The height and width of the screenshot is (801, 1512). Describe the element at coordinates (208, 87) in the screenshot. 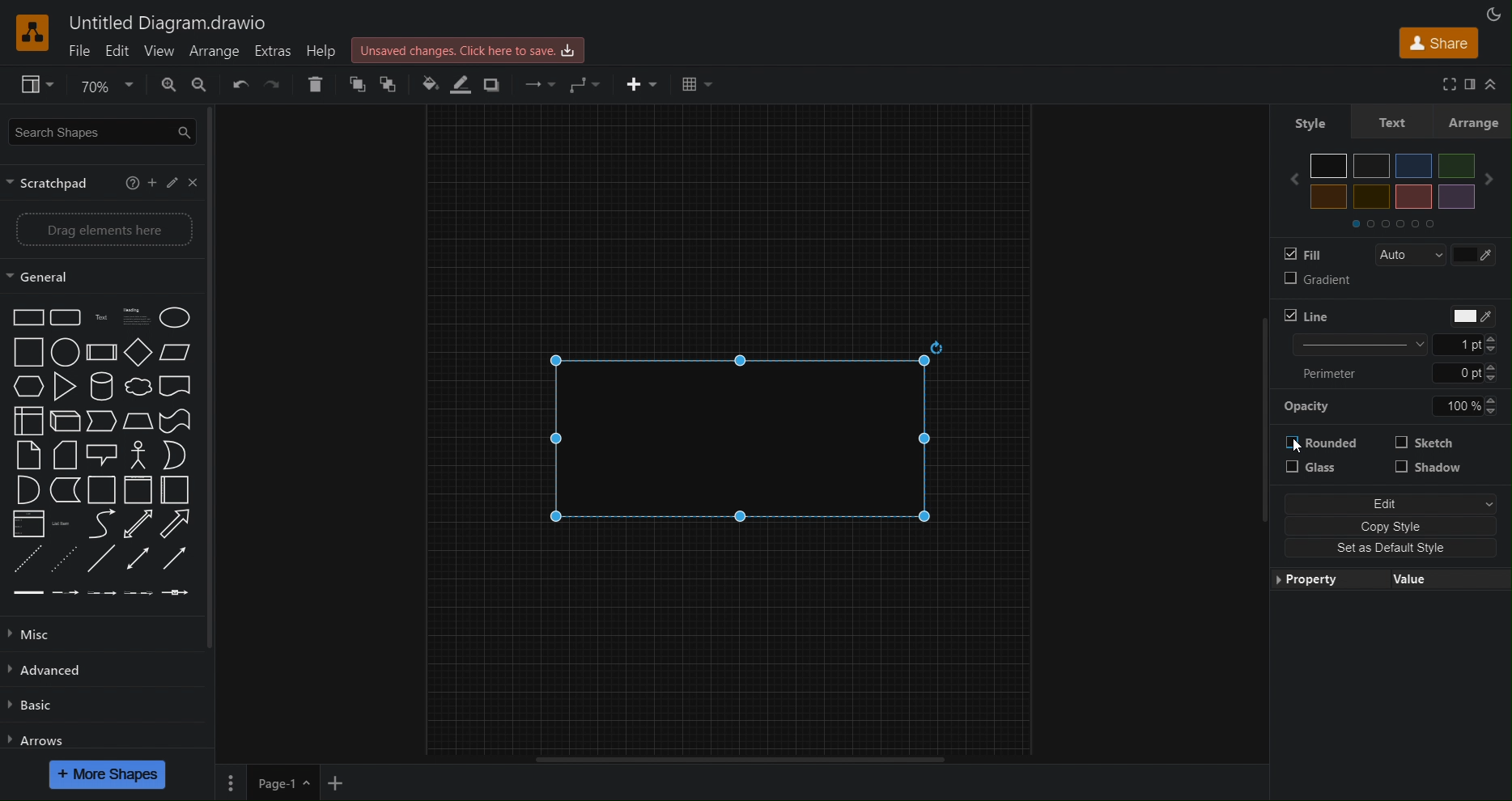

I see `Zoom Out` at that location.